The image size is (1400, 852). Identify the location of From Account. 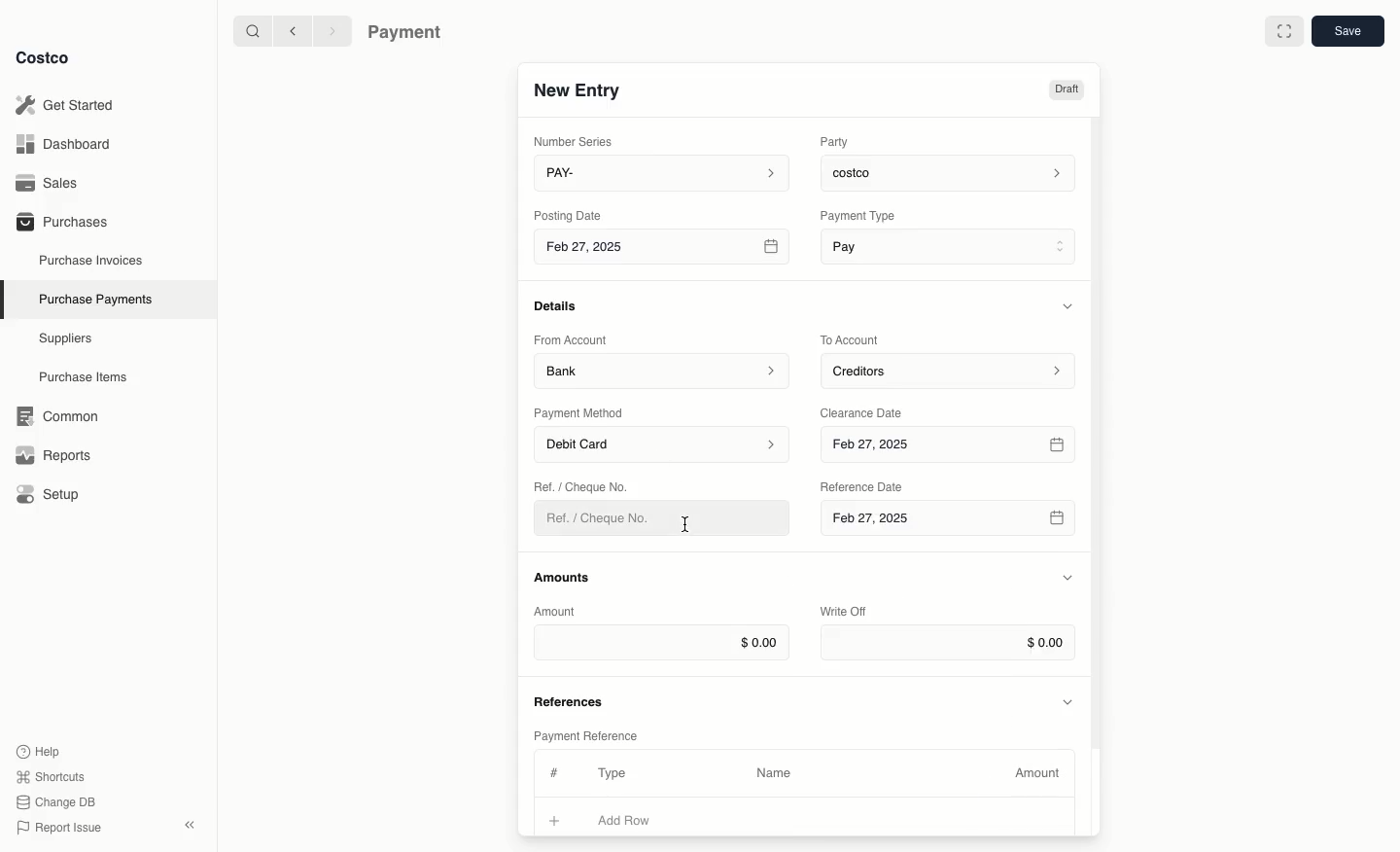
(571, 339).